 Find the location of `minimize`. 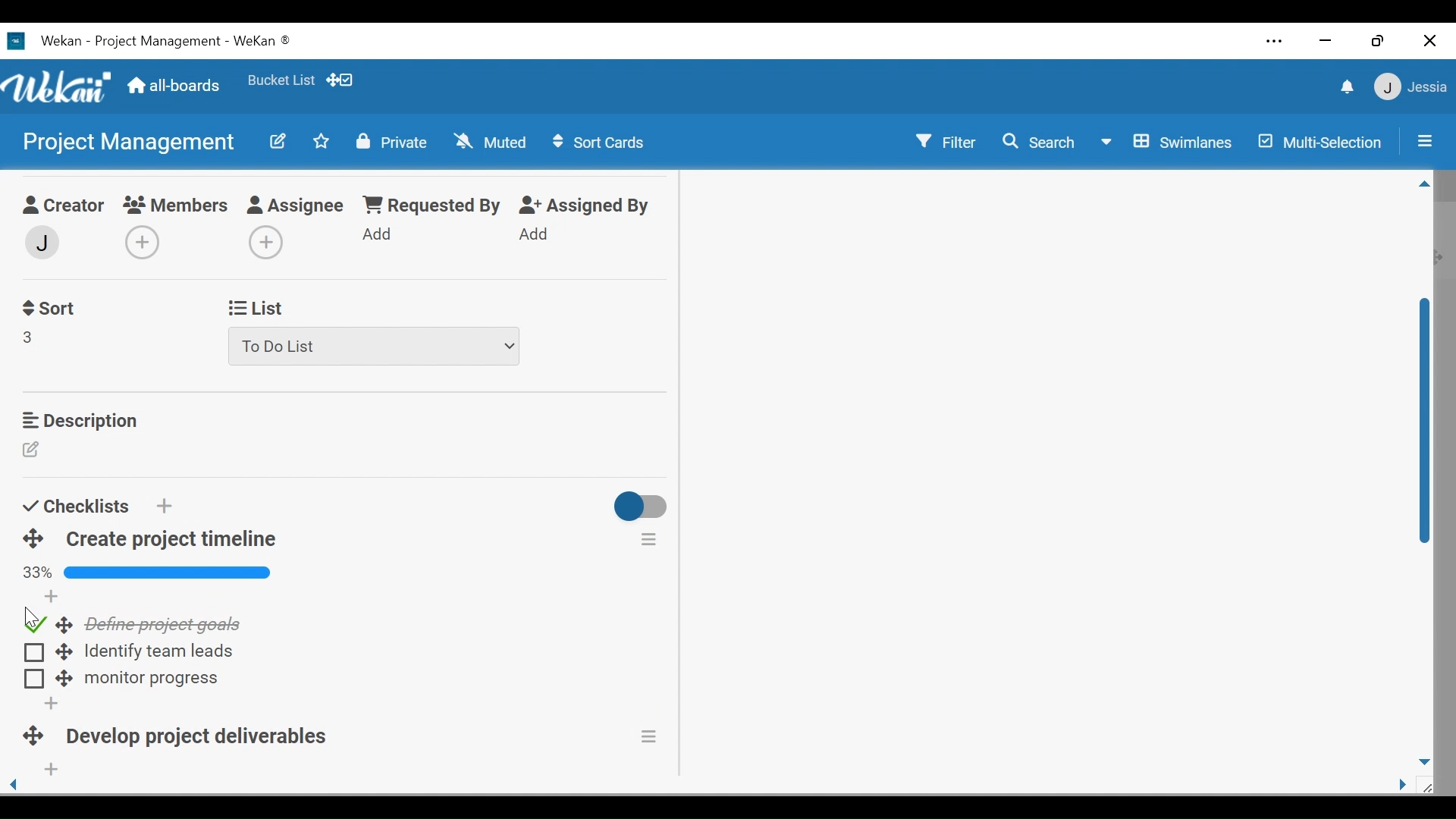

minimize is located at coordinates (1326, 40).